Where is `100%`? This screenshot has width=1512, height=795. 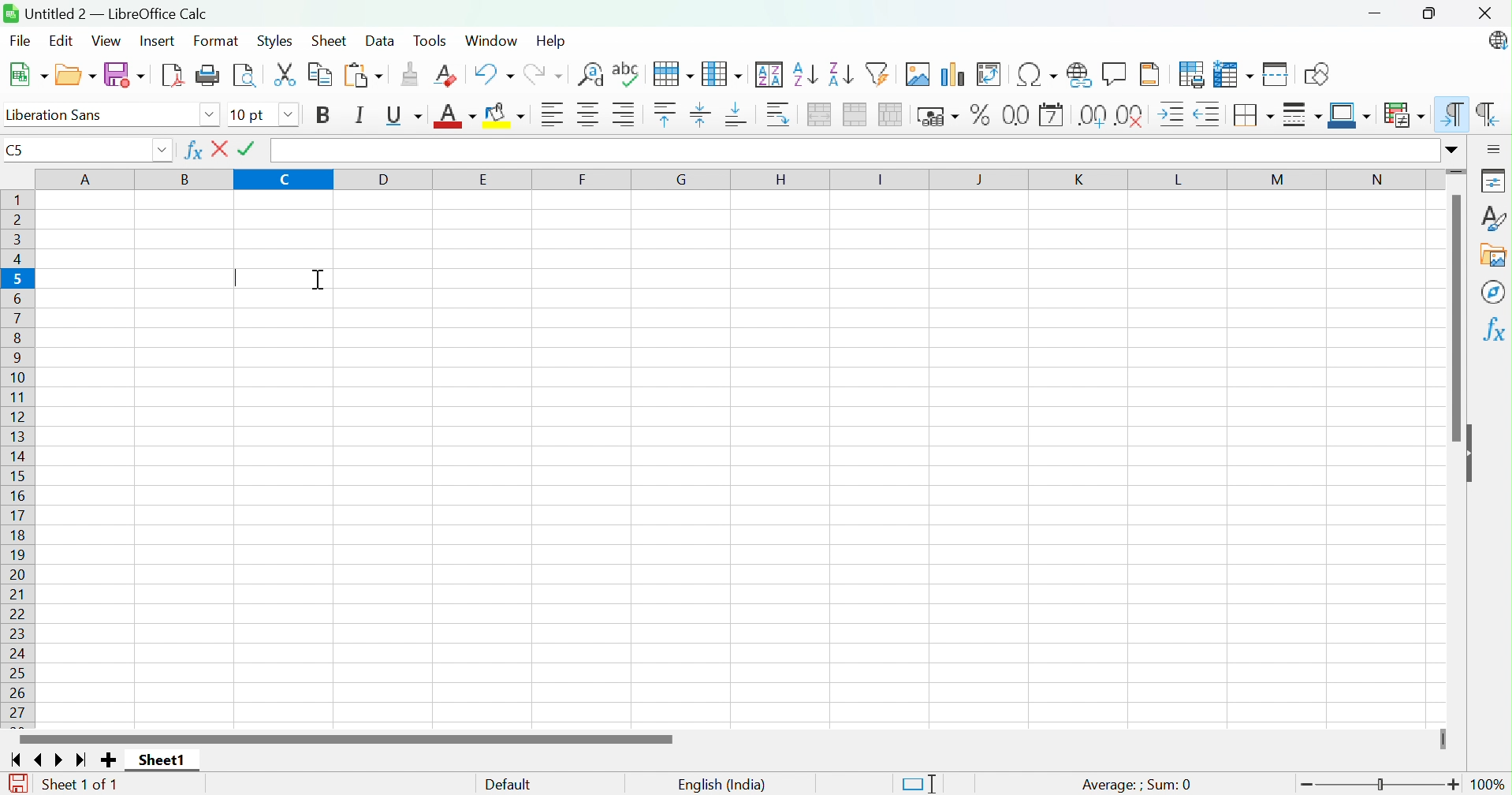
100% is located at coordinates (1492, 786).